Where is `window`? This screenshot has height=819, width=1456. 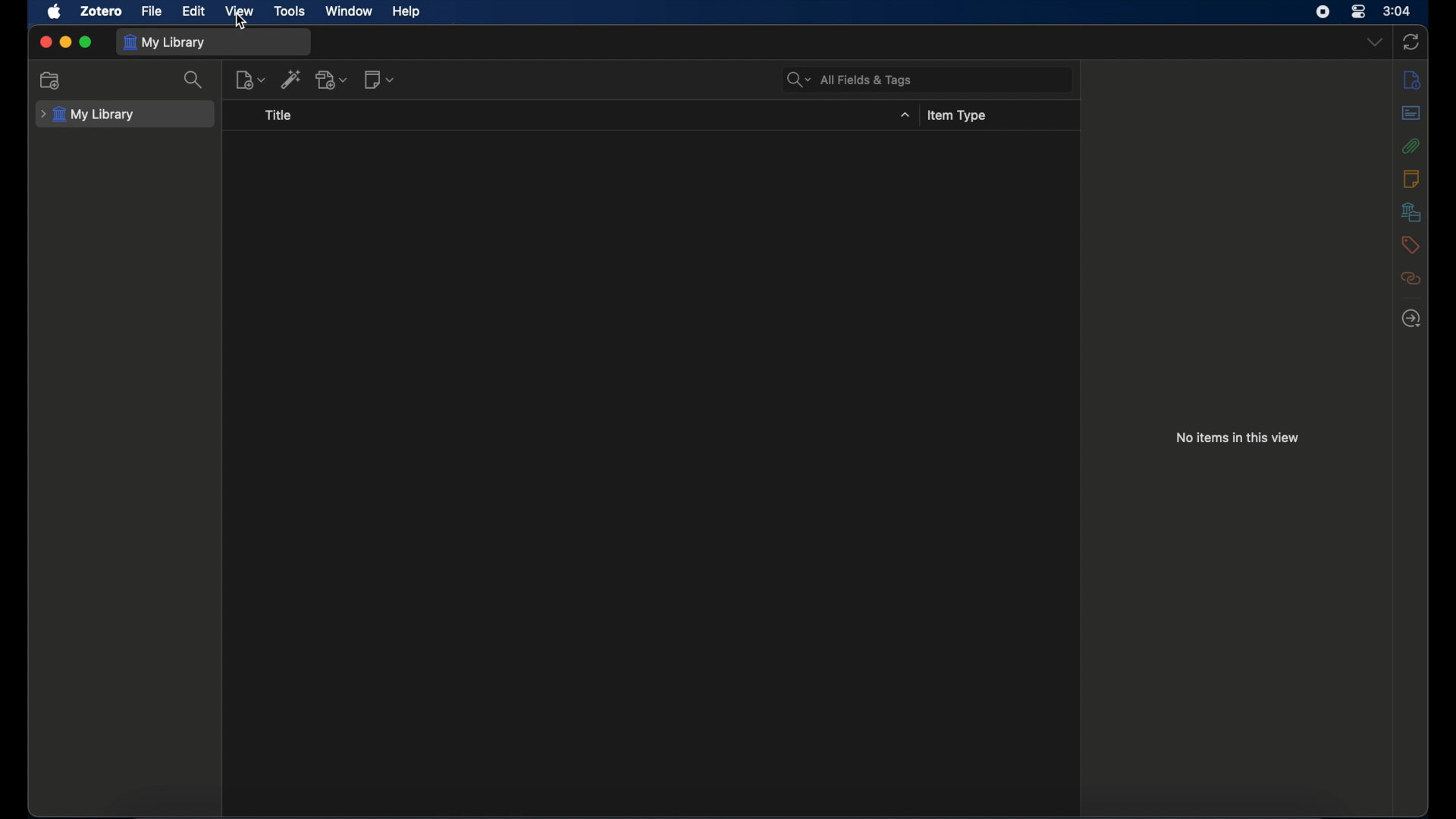
window is located at coordinates (350, 11).